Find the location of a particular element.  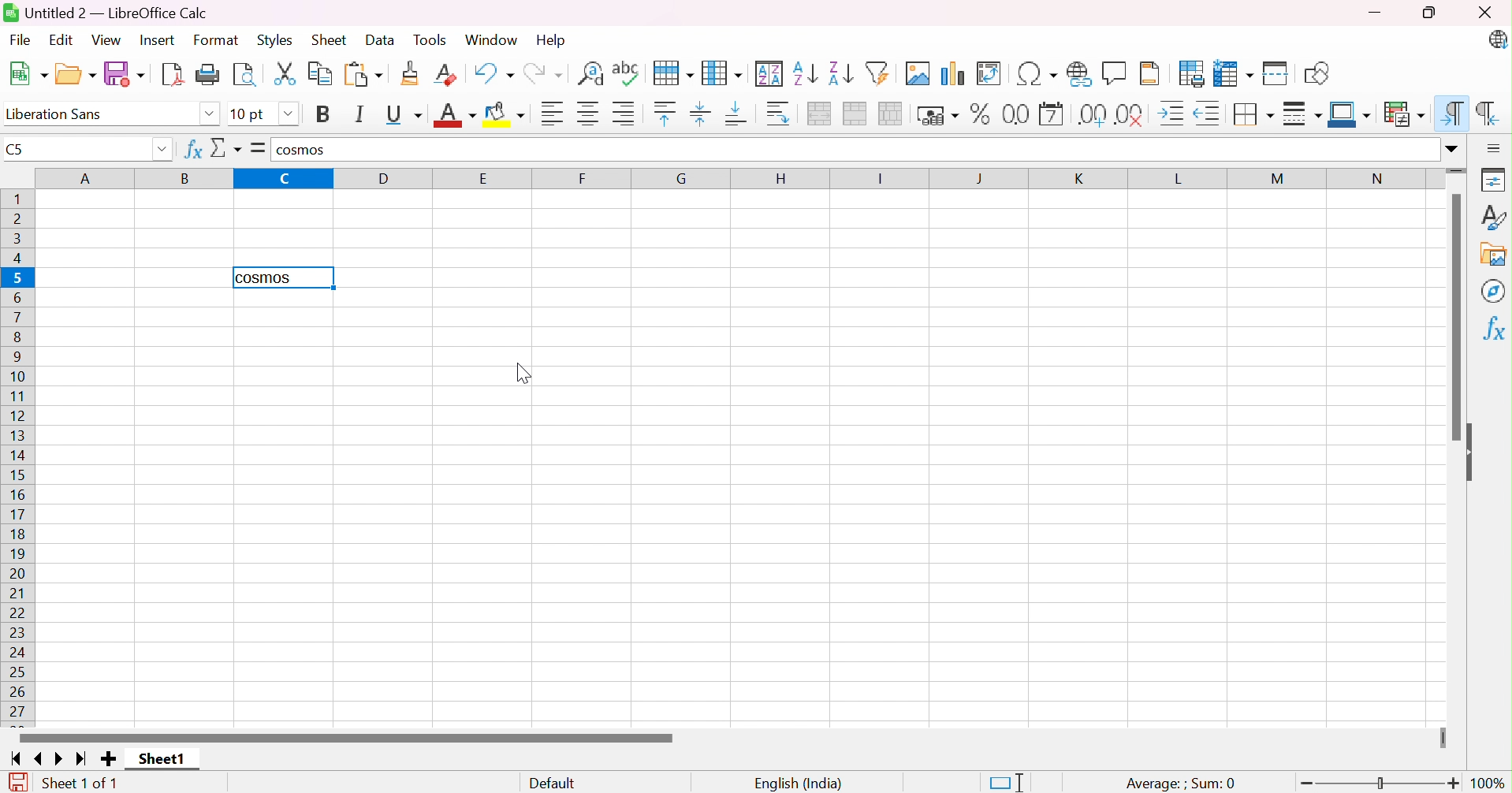

Merge and Center or Unmerge cells depending on the current toggle state is located at coordinates (821, 114).